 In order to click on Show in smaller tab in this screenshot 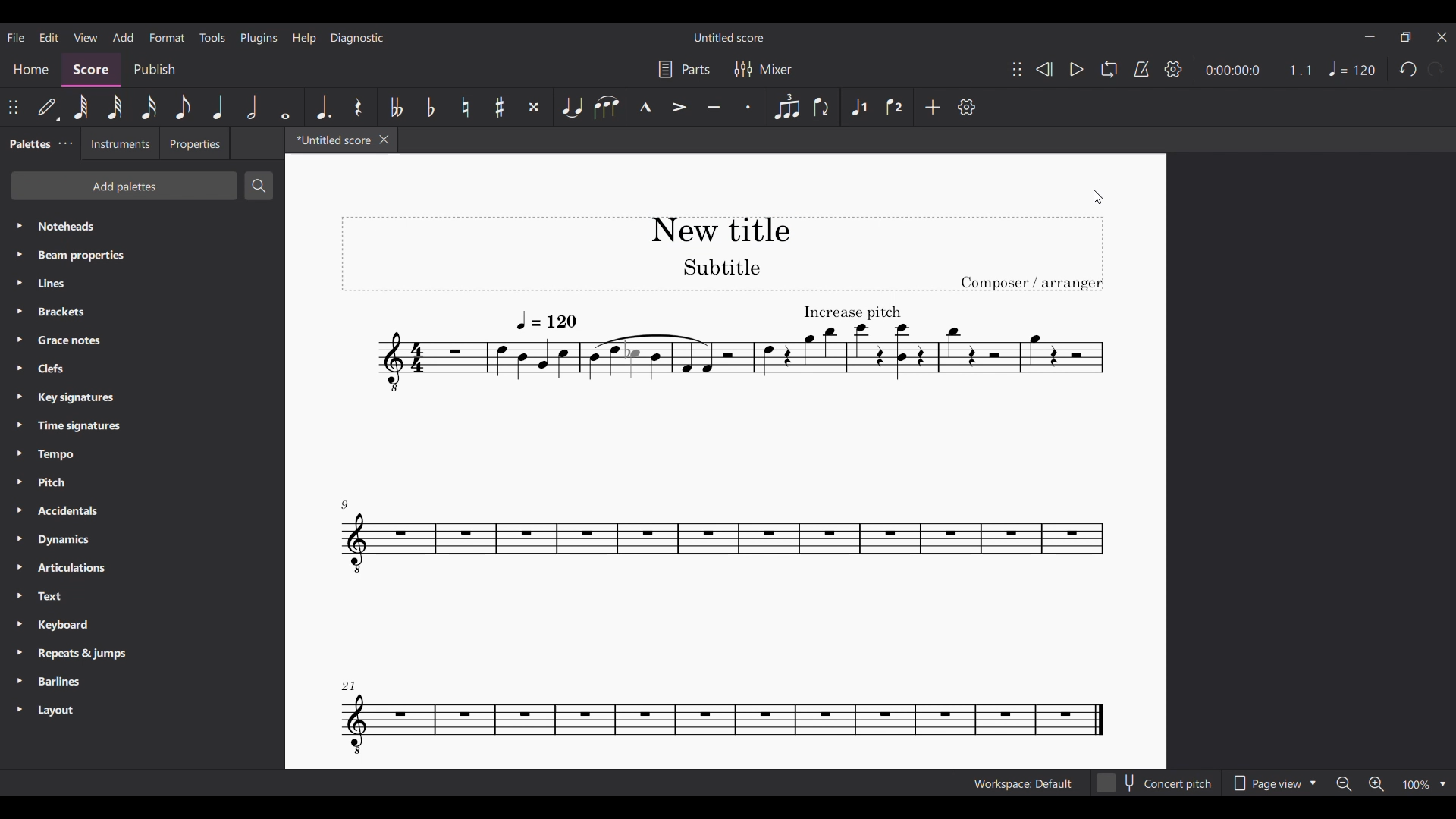, I will do `click(1406, 37)`.